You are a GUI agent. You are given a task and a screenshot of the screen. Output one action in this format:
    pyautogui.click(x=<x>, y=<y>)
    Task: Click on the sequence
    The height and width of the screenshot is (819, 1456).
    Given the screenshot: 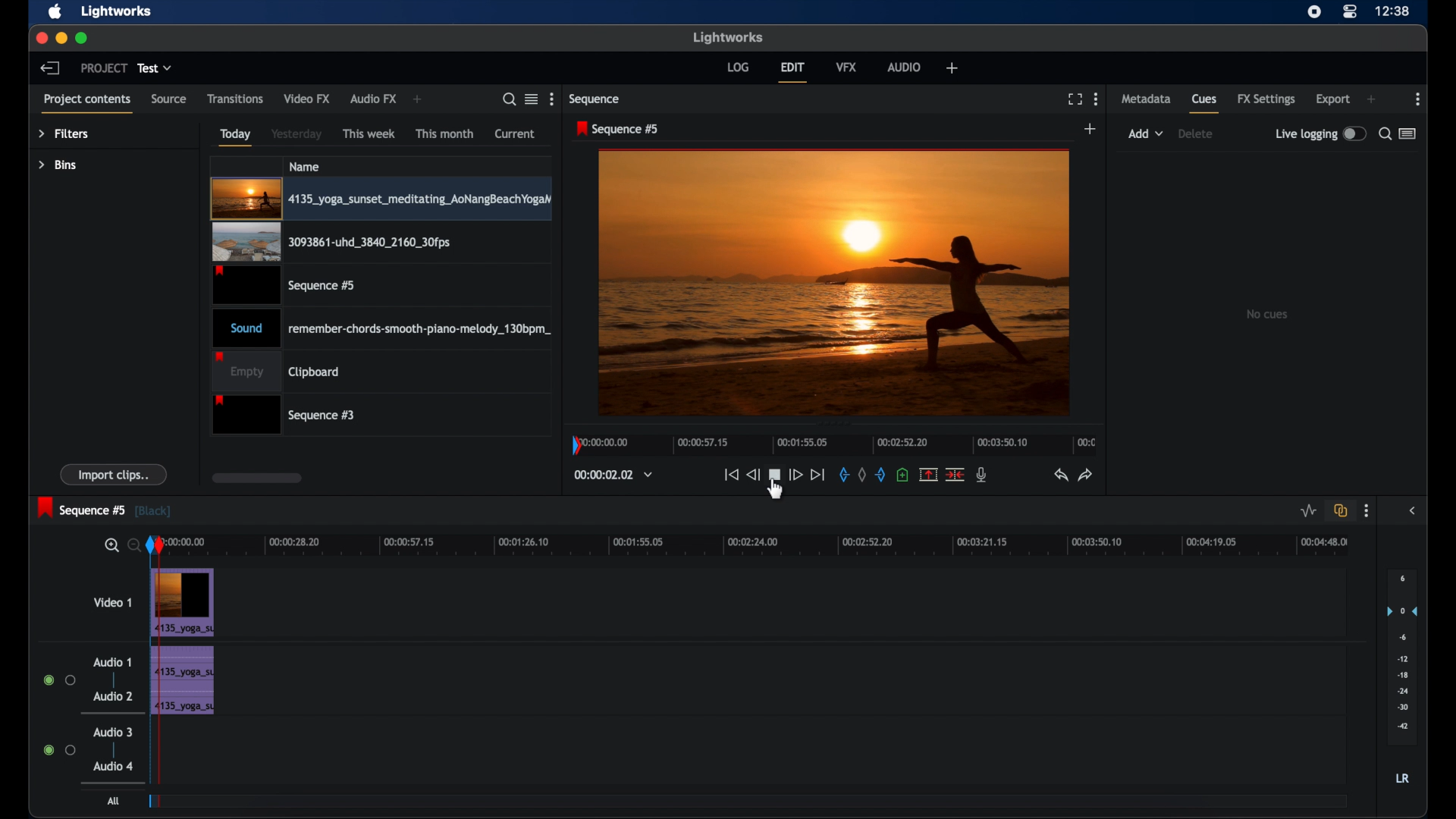 What is the action you would take?
    pyautogui.click(x=617, y=128)
    